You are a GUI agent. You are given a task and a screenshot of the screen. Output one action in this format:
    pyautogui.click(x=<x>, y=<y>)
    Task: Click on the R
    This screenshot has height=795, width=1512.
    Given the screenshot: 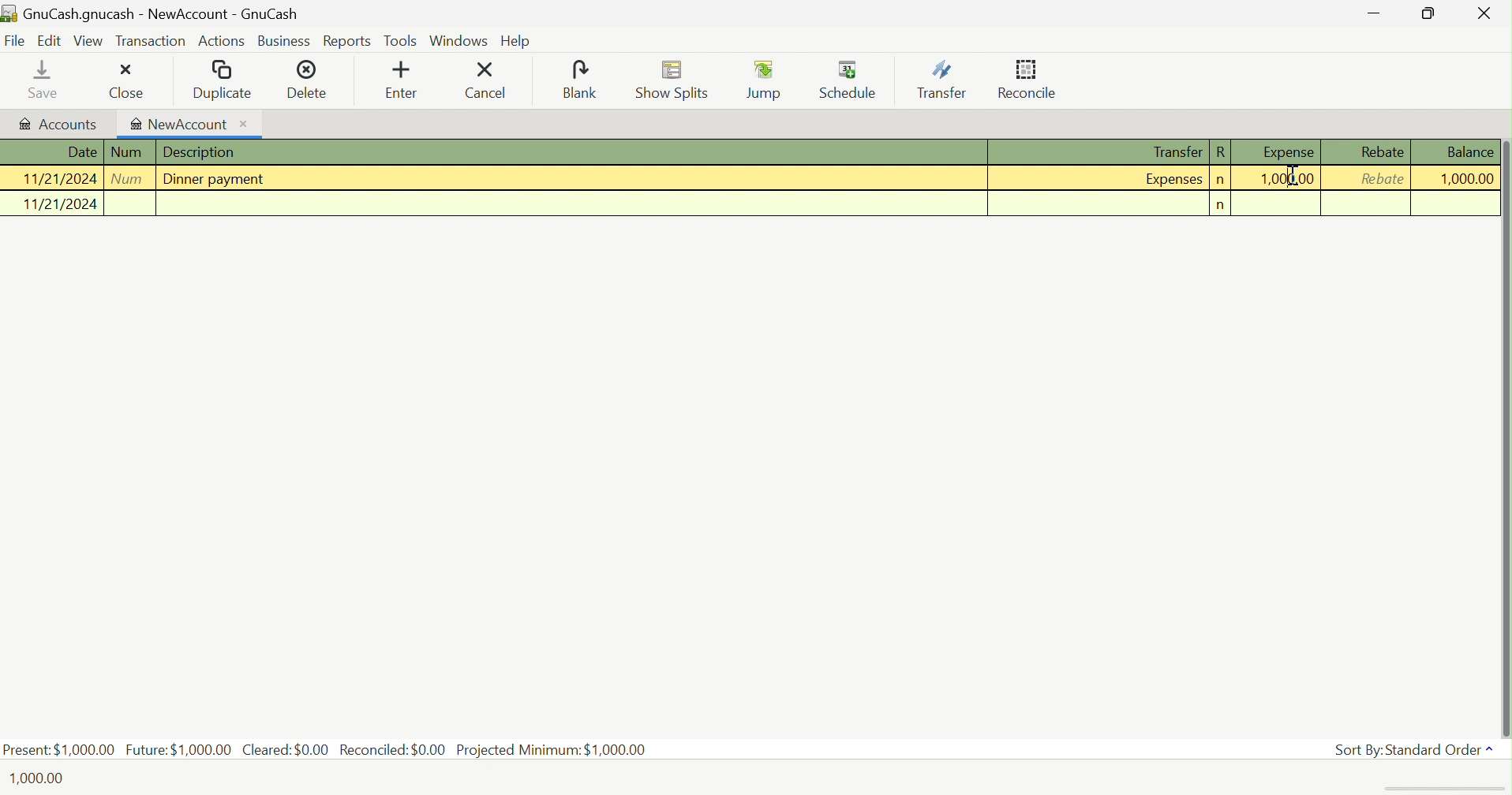 What is the action you would take?
    pyautogui.click(x=1221, y=153)
    